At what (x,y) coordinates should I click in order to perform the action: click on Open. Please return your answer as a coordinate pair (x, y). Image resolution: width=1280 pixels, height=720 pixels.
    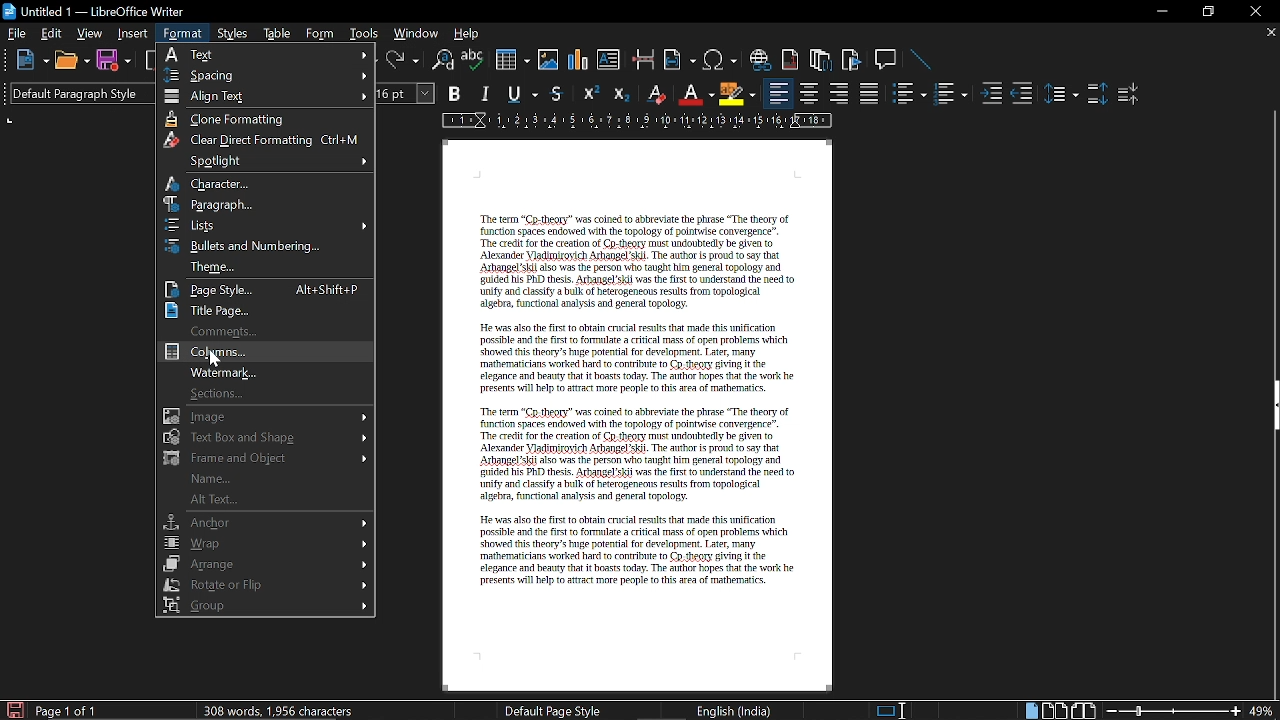
    Looking at the image, I should click on (72, 62).